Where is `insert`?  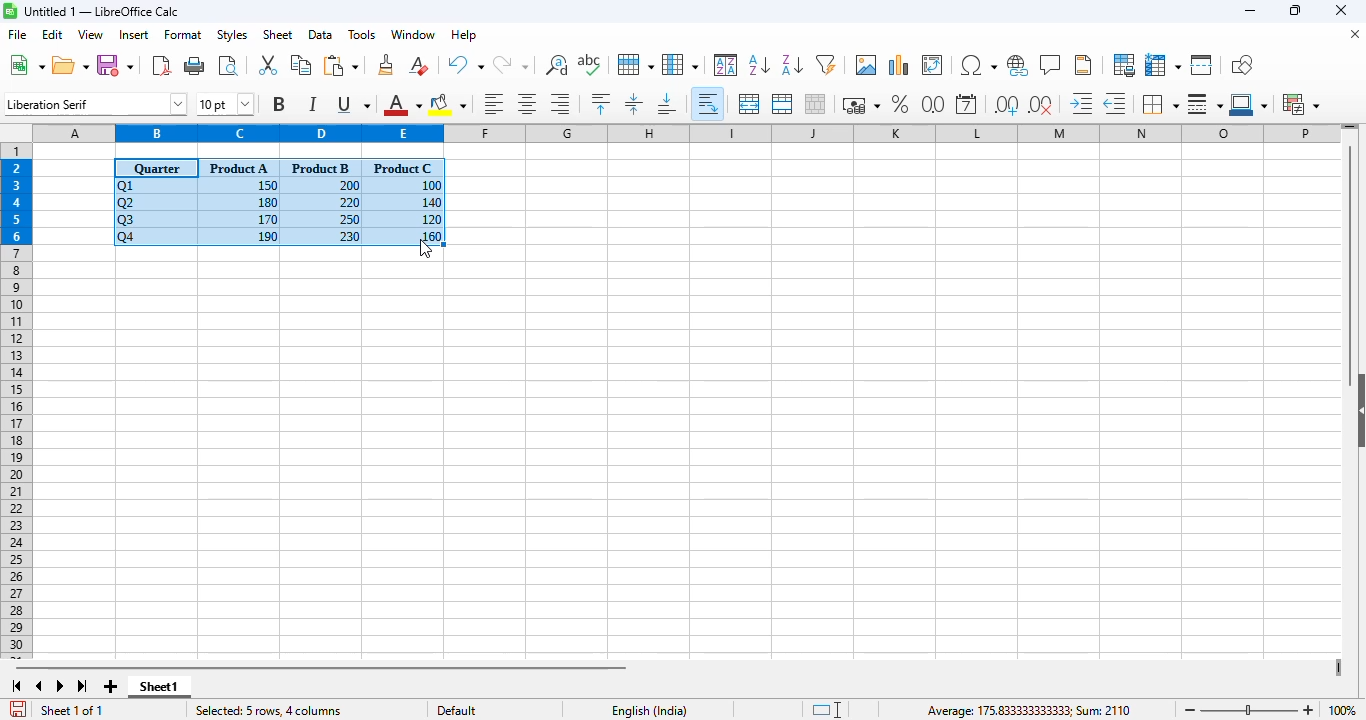
insert is located at coordinates (134, 35).